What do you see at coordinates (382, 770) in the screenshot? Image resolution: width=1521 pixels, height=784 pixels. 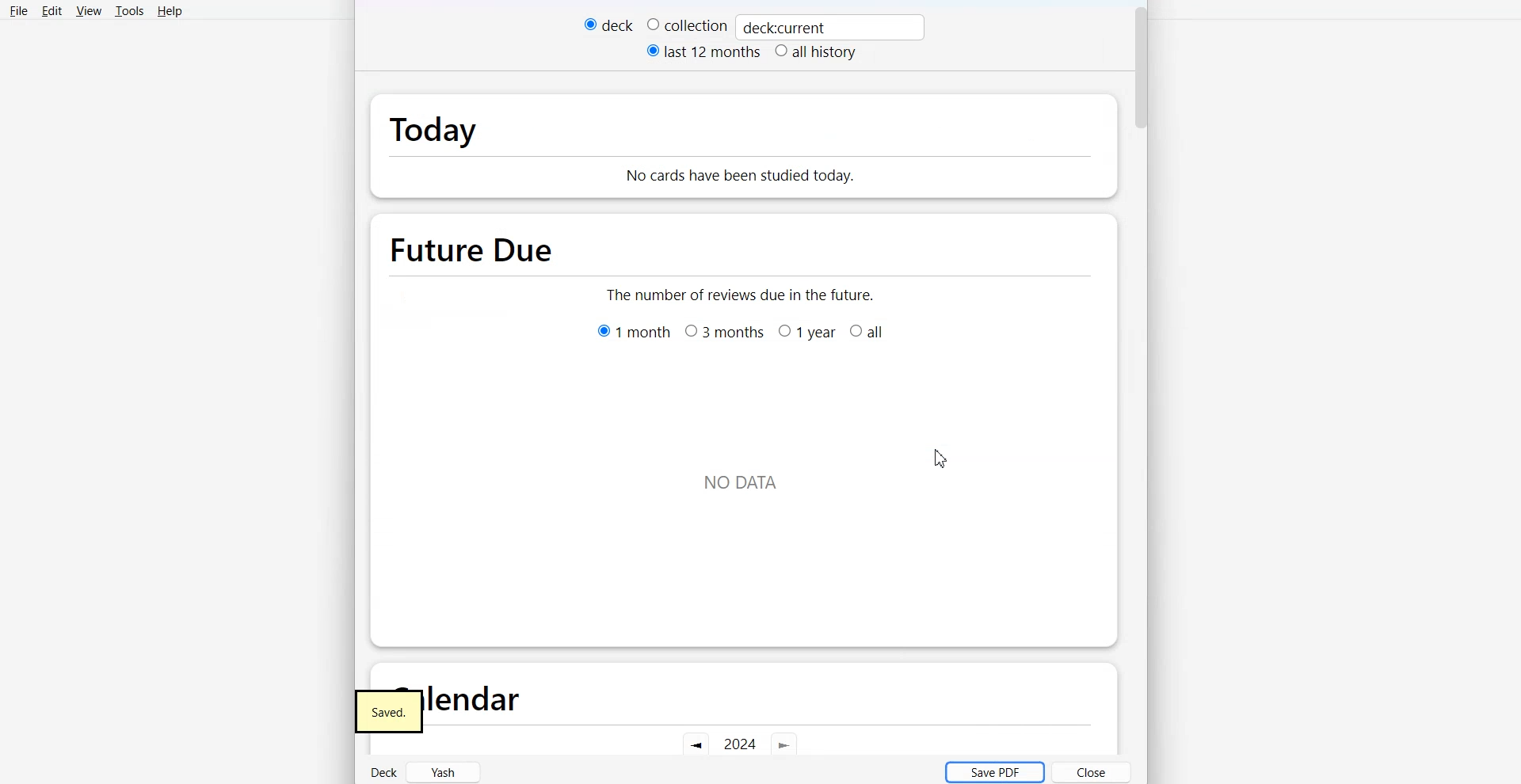 I see `Deck` at bounding box center [382, 770].